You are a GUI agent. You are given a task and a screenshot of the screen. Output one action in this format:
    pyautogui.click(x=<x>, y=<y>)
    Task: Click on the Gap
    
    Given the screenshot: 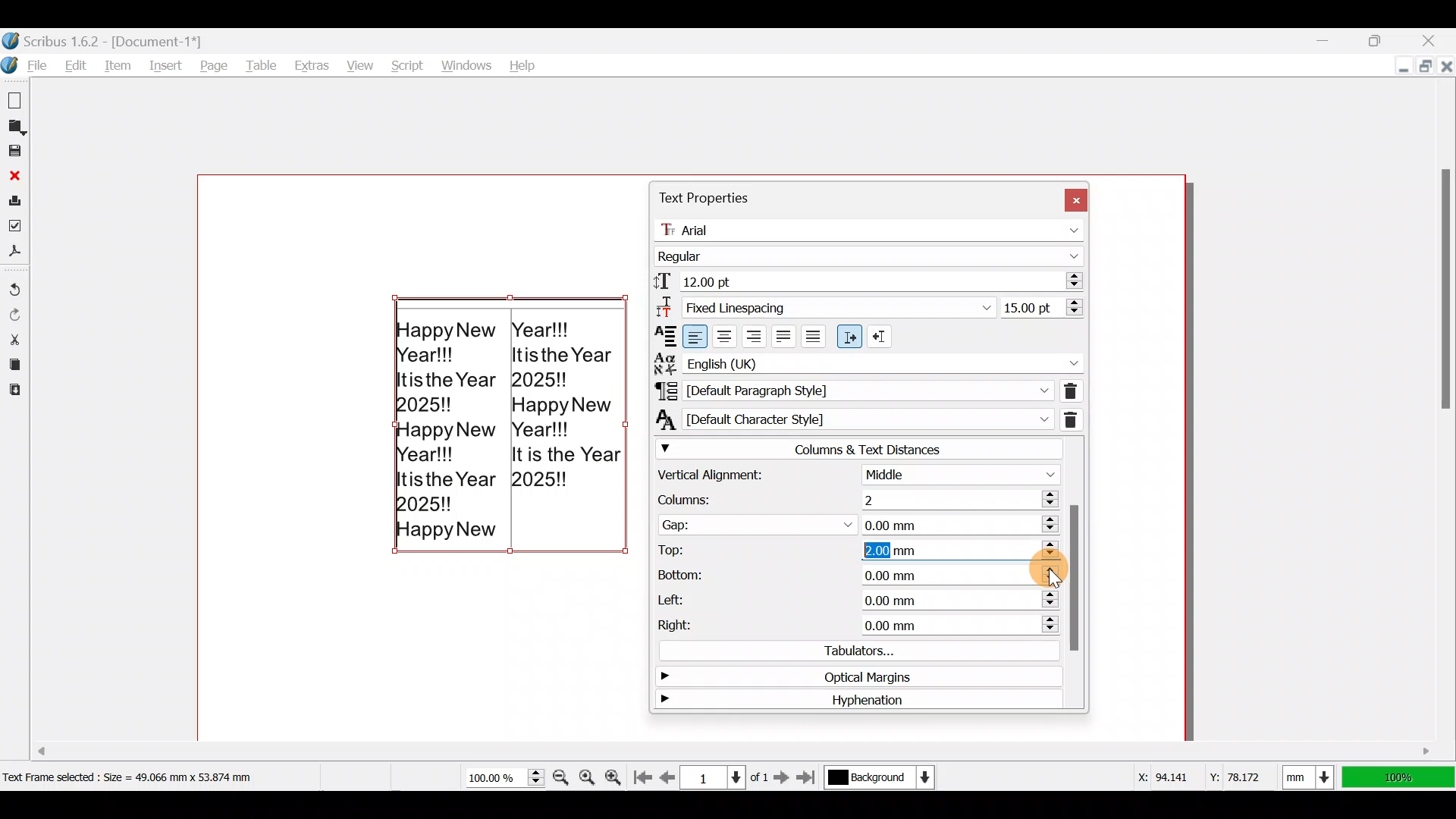 What is the action you would take?
    pyautogui.click(x=855, y=523)
    